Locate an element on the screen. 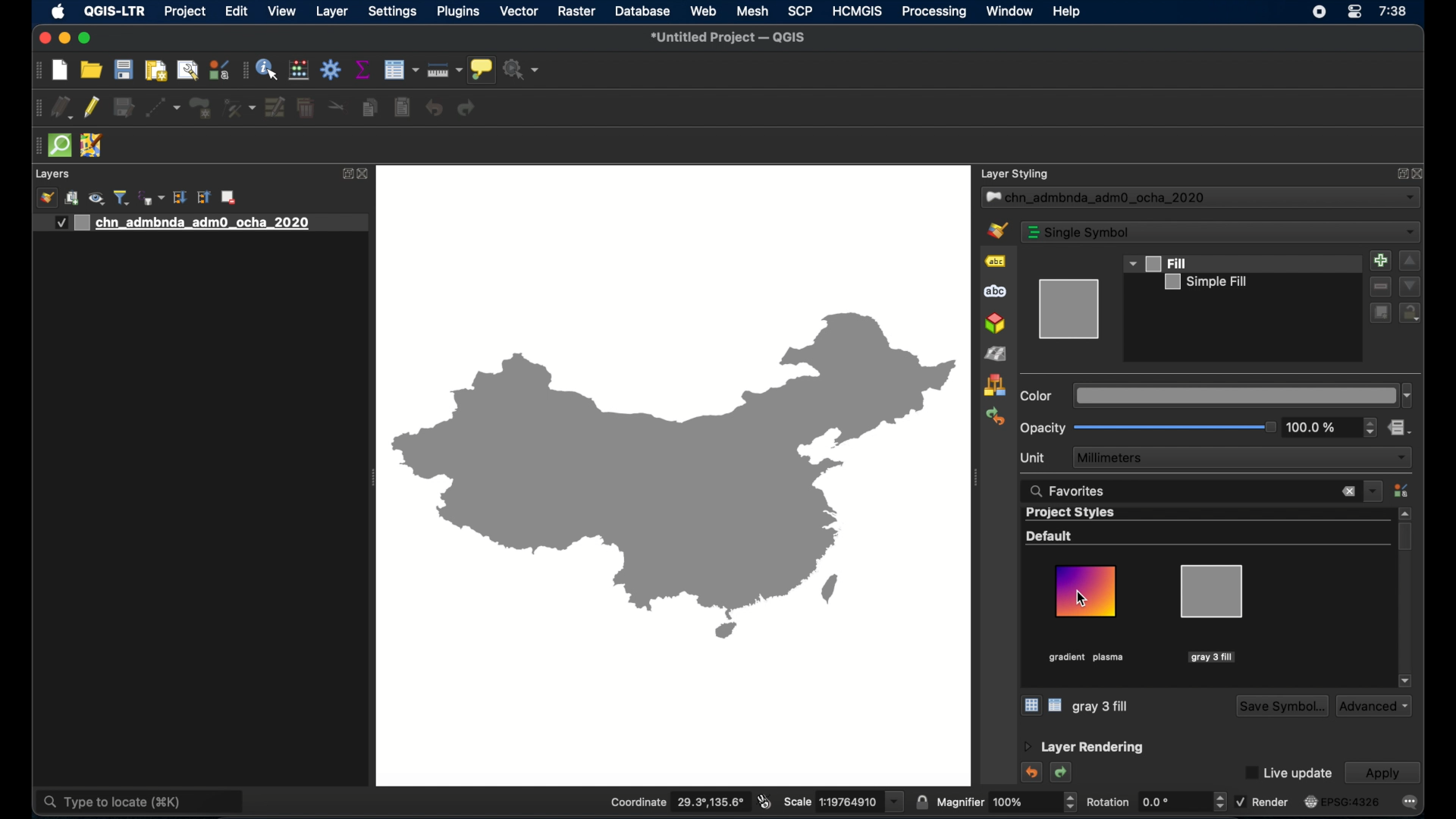 The image size is (1456, 819). no action selected is located at coordinates (522, 70).